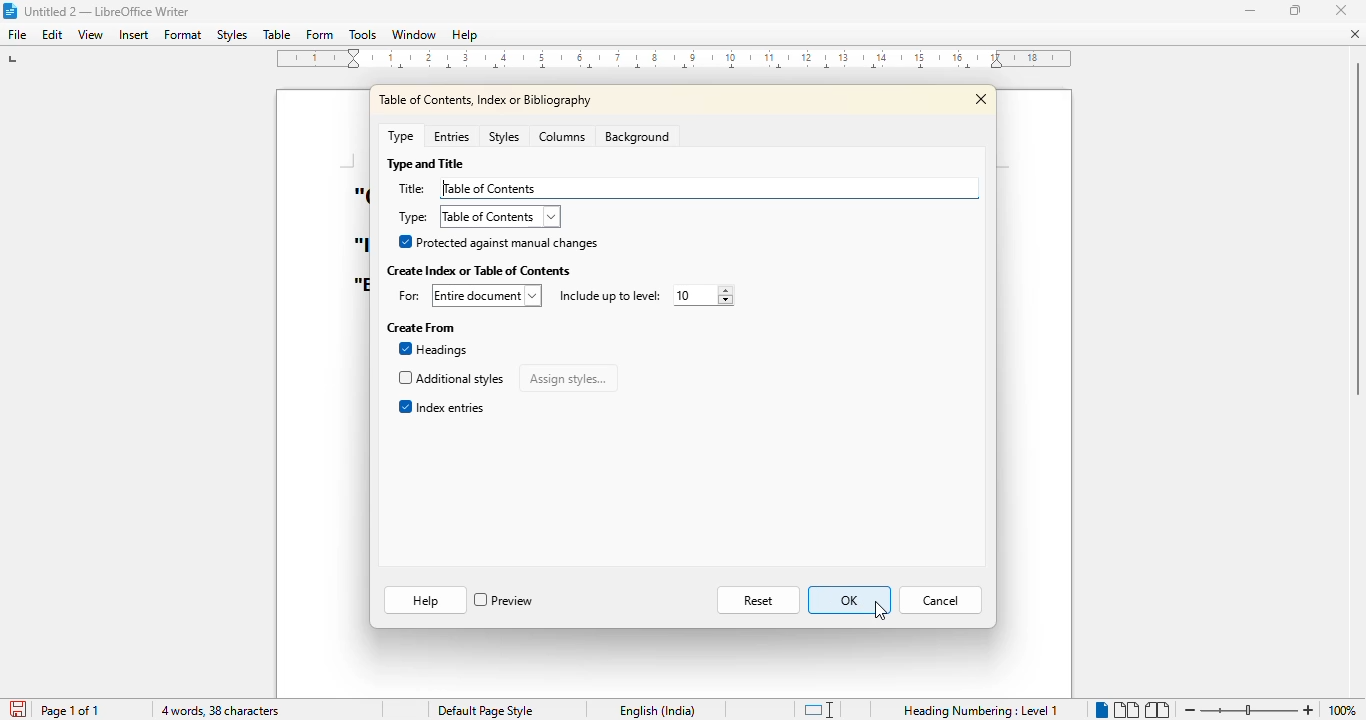 This screenshot has height=720, width=1366. I want to click on tools, so click(362, 34).